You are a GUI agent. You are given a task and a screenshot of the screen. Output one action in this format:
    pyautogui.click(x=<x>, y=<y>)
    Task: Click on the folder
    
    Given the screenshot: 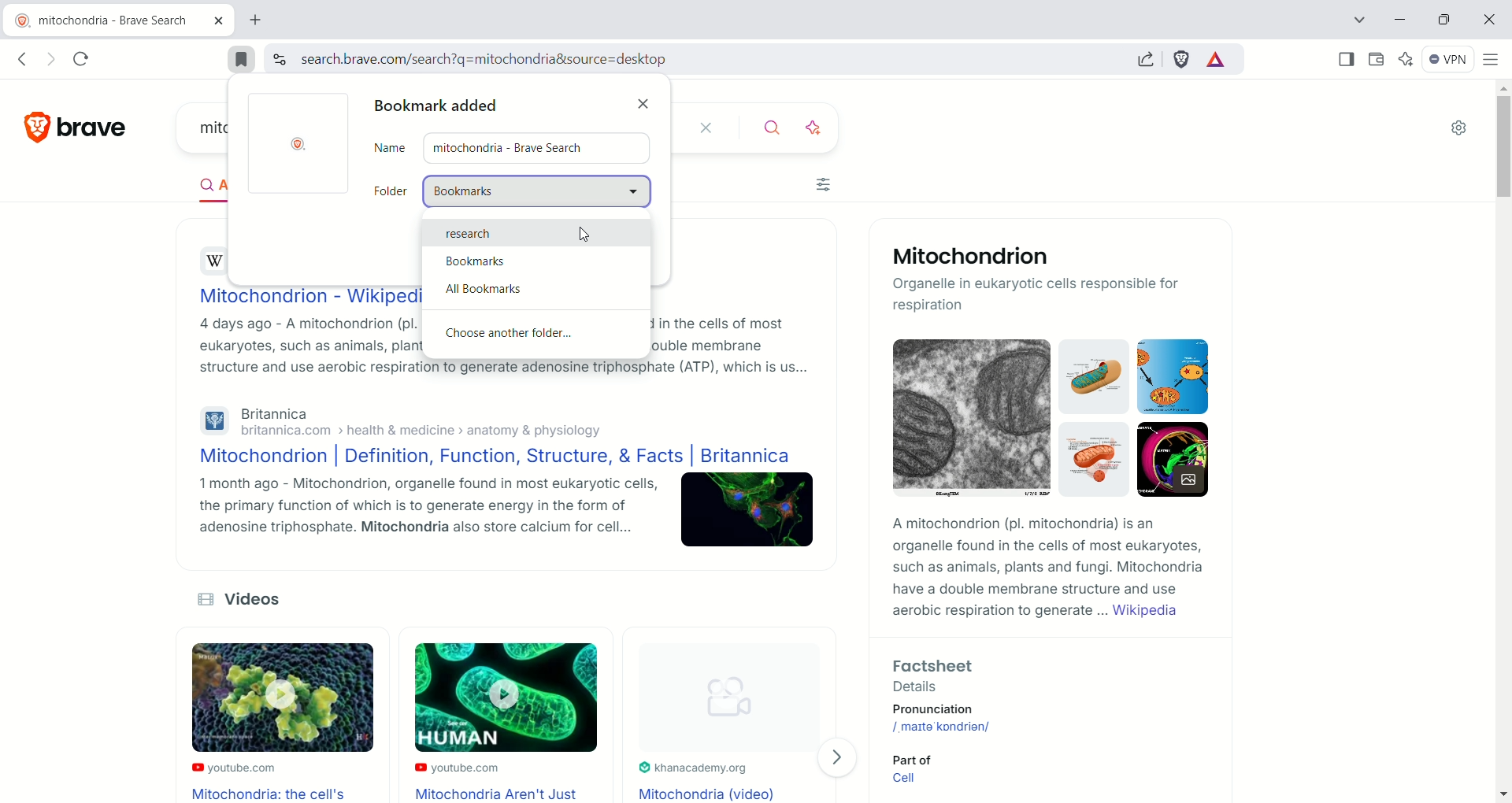 What is the action you would take?
    pyautogui.click(x=513, y=191)
    